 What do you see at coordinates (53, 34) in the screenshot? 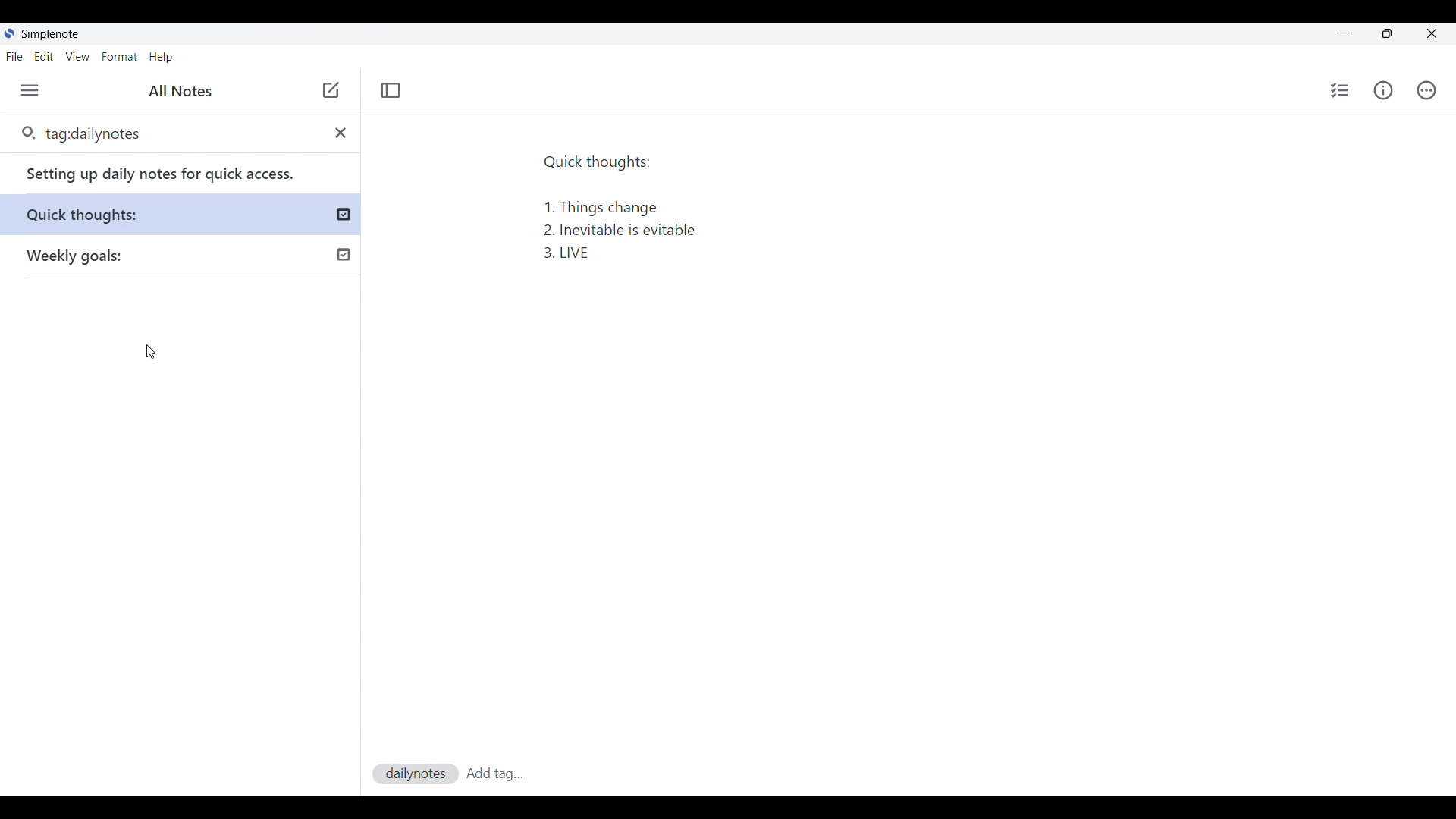
I see `Software note` at bounding box center [53, 34].